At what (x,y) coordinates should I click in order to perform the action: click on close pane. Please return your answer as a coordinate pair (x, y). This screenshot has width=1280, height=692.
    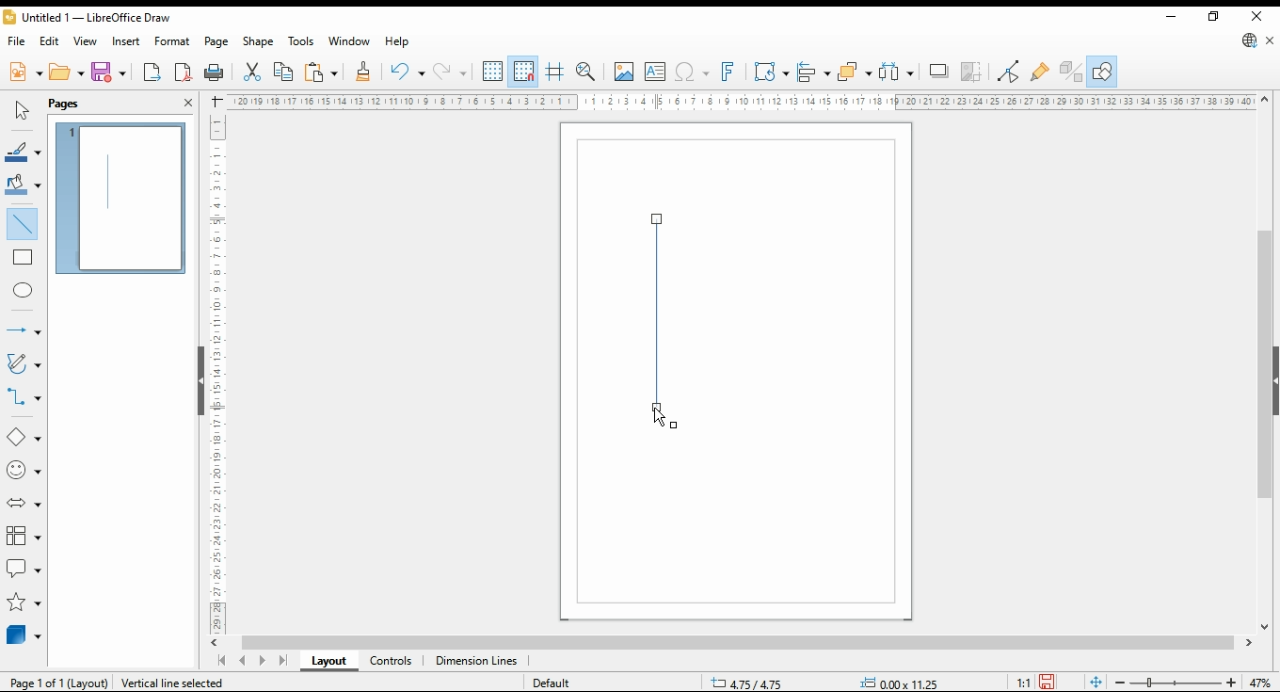
    Looking at the image, I should click on (187, 101).